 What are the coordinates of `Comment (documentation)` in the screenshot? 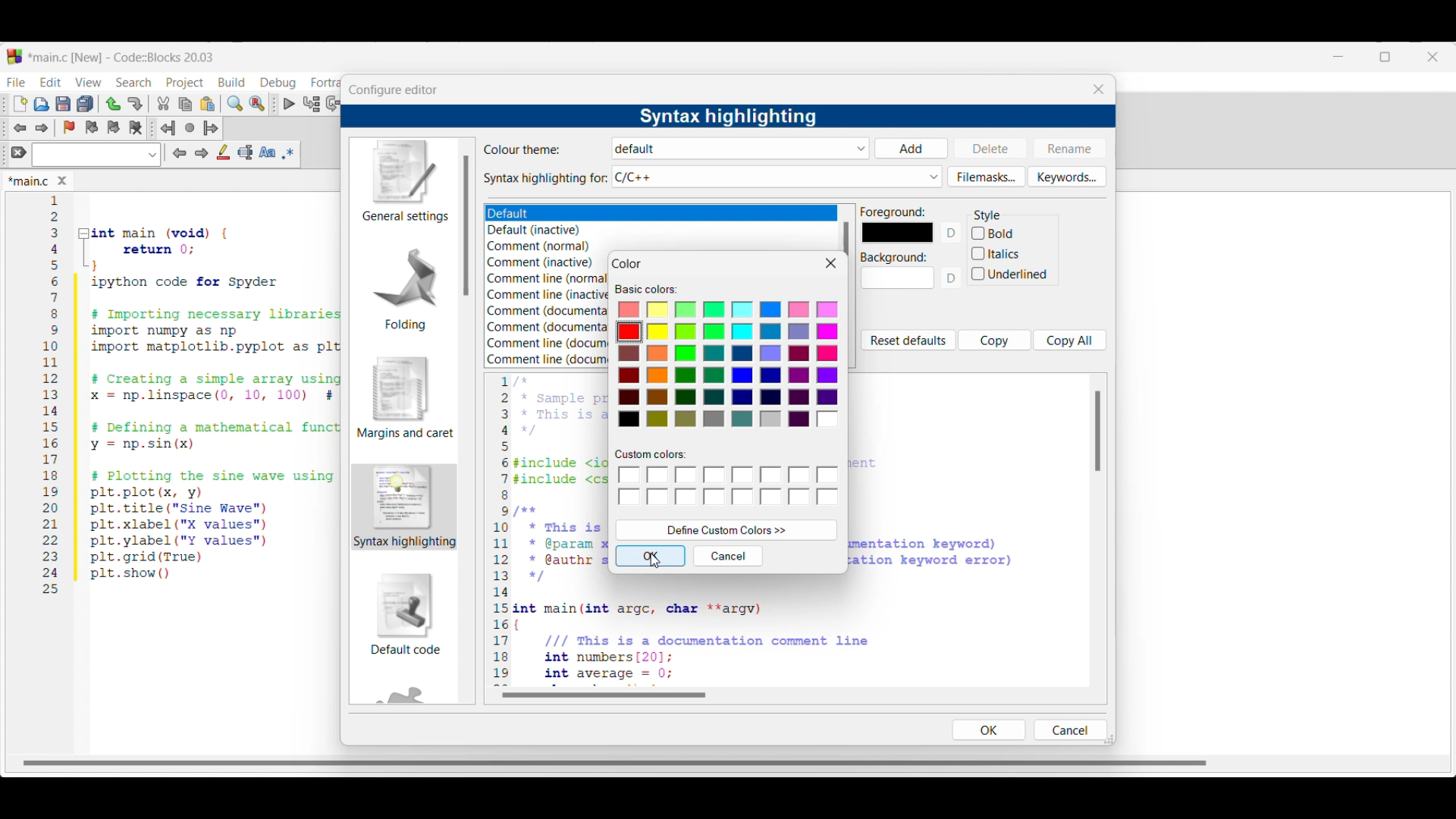 It's located at (549, 309).